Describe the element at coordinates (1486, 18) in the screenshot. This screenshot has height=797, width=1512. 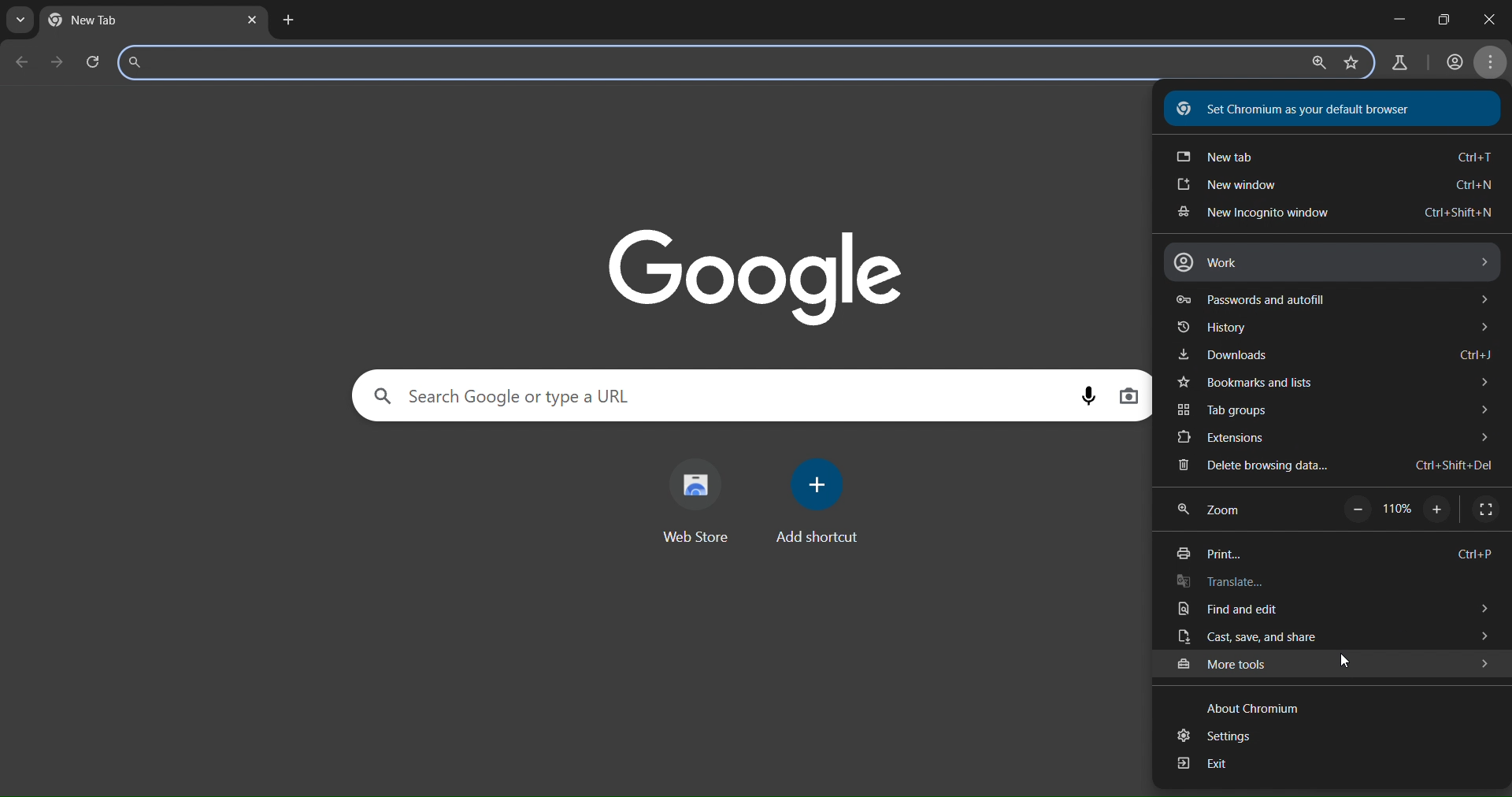
I see `close` at that location.